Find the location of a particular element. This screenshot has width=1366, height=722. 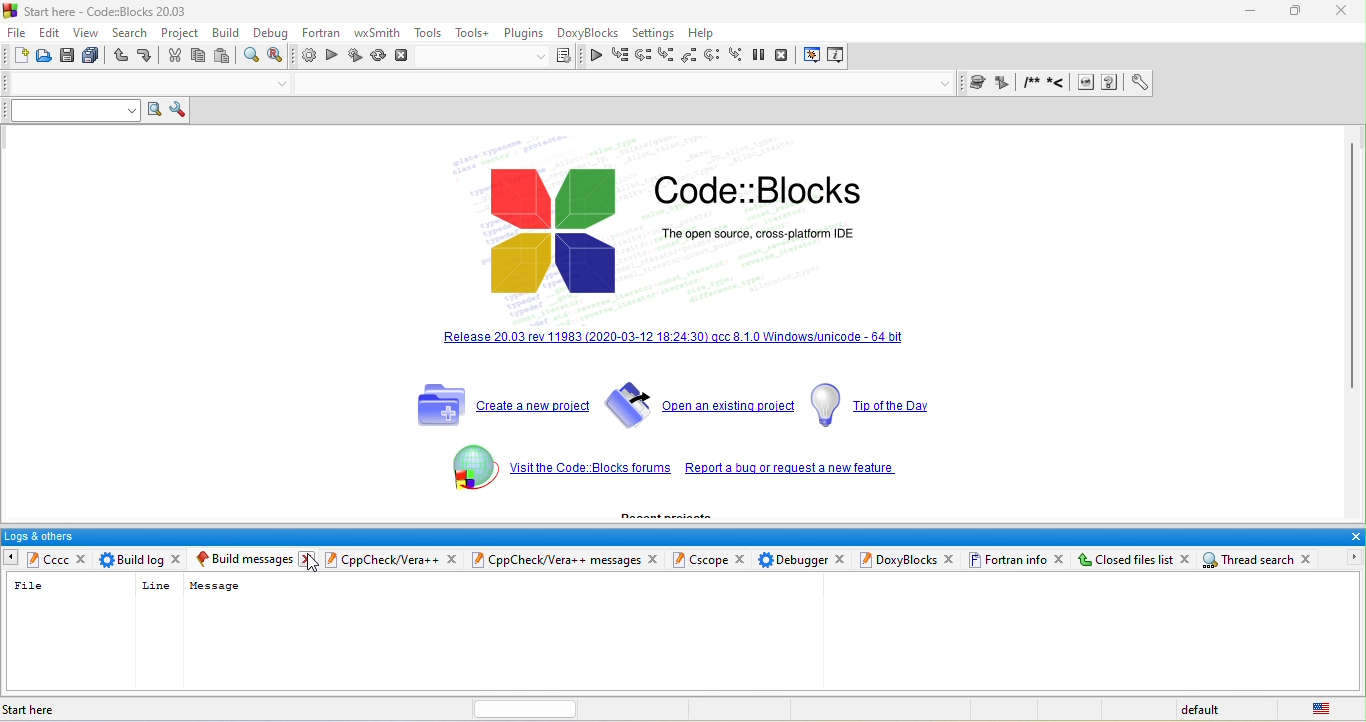

cut is located at coordinates (175, 57).